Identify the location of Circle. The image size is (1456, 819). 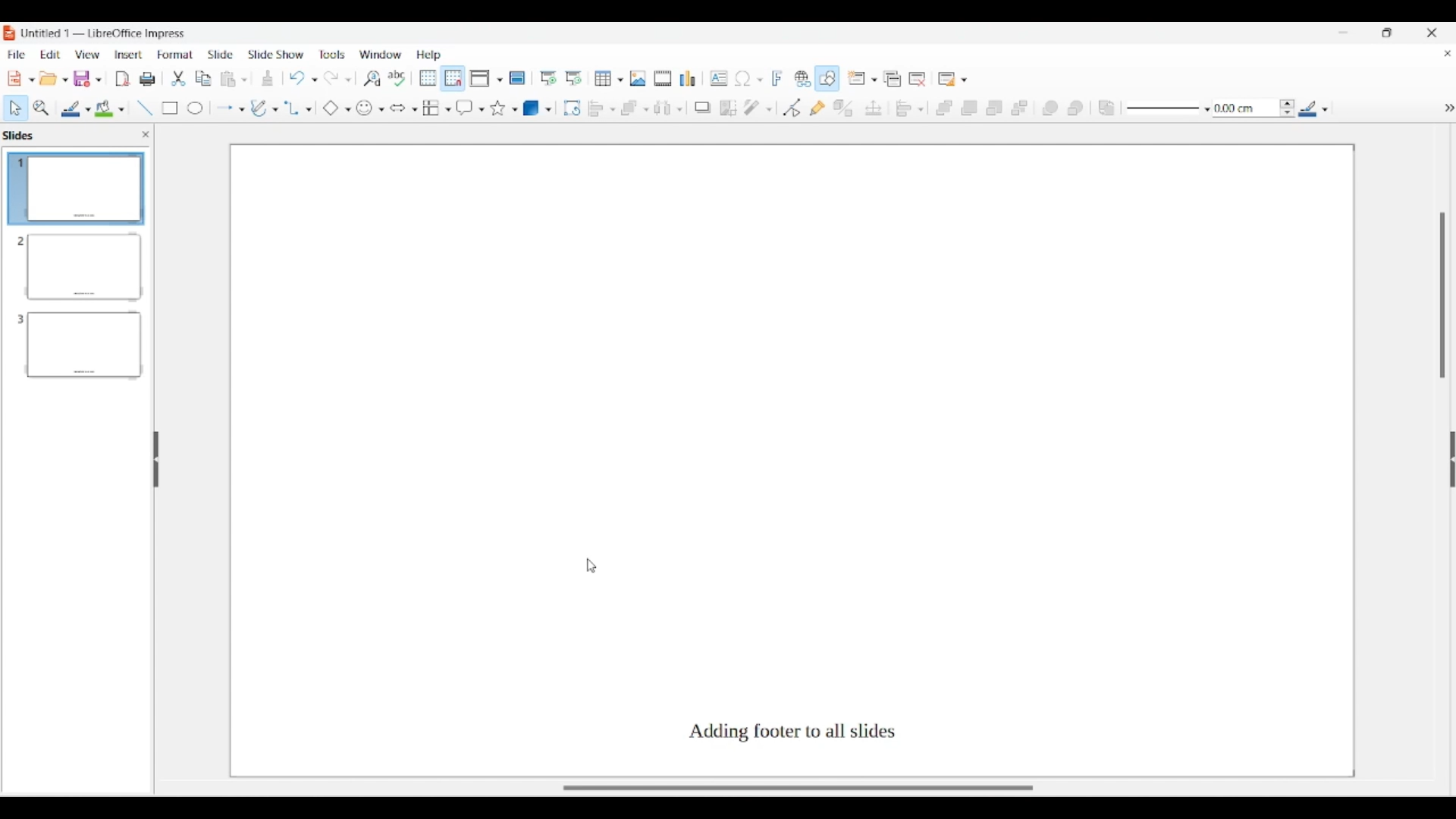
(194, 108).